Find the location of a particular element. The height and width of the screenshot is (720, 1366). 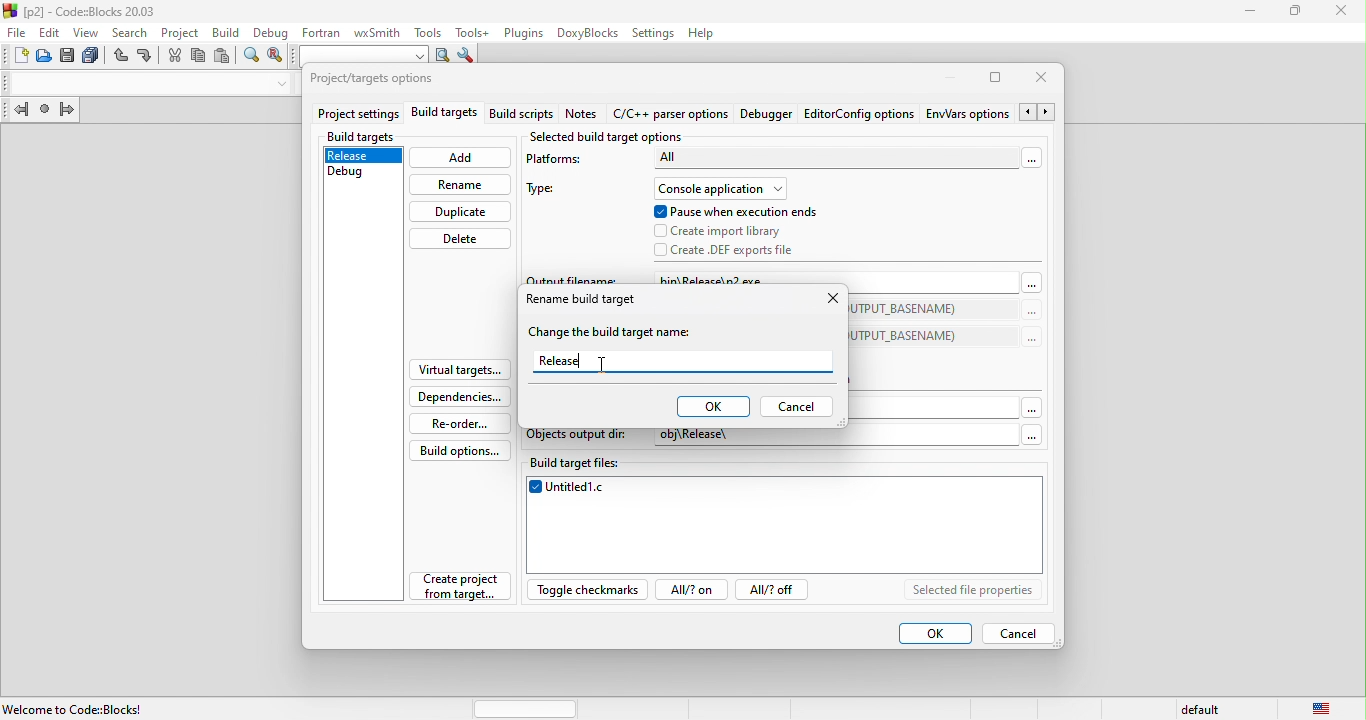

united state is located at coordinates (1323, 709).